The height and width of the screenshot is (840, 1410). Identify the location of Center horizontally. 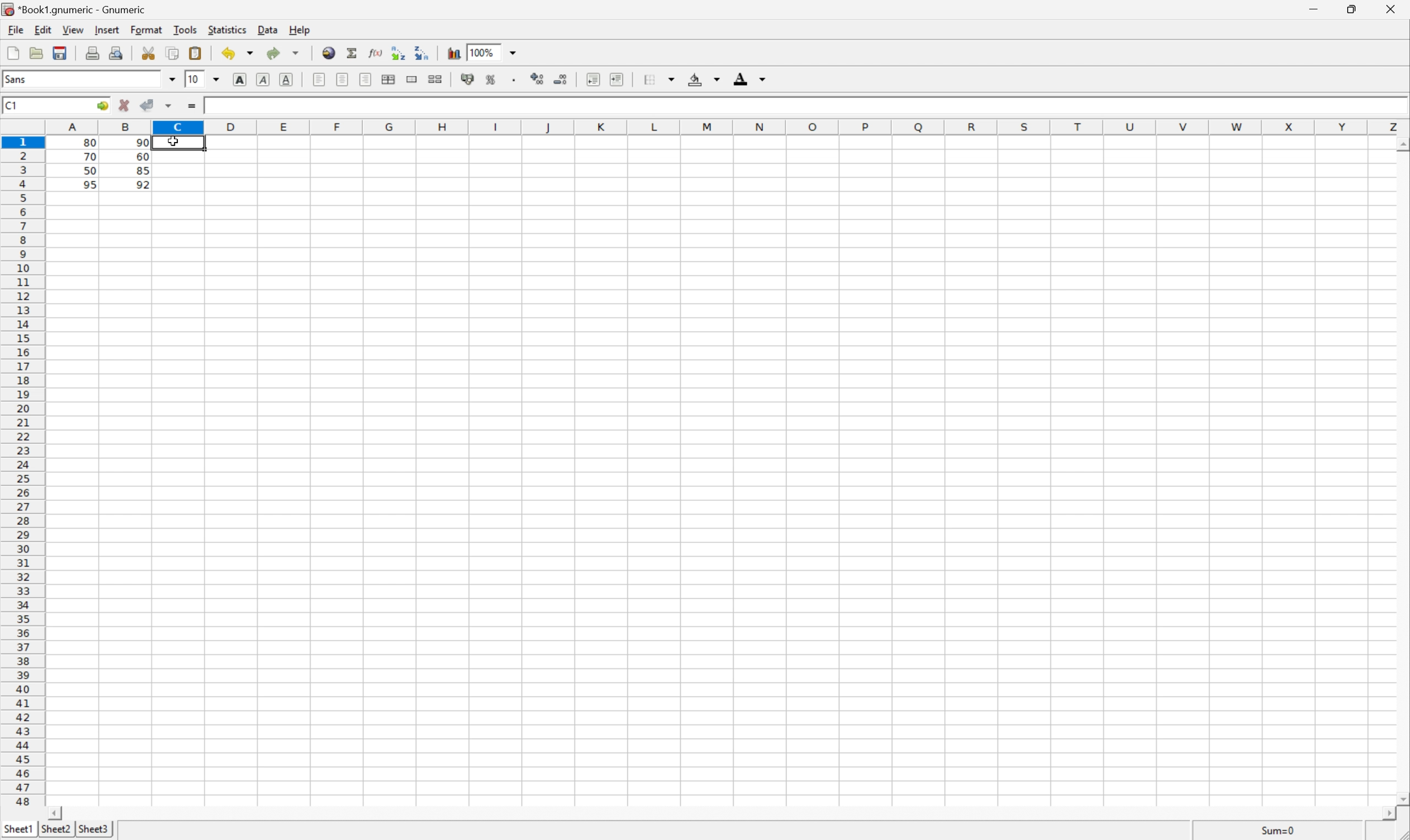
(343, 80).